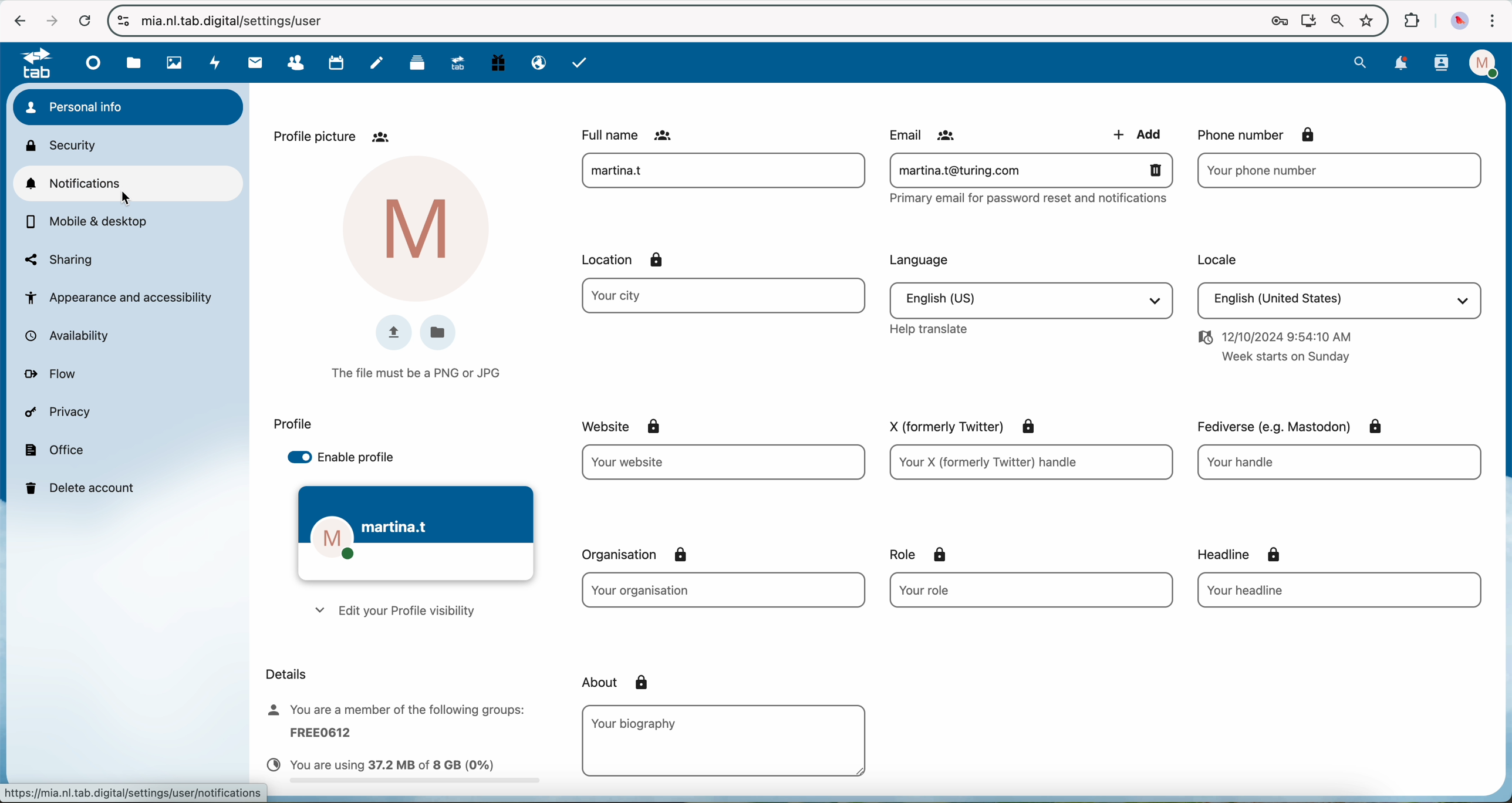 This screenshot has width=1512, height=803. I want to click on Install NExtcloud, so click(1305, 20).